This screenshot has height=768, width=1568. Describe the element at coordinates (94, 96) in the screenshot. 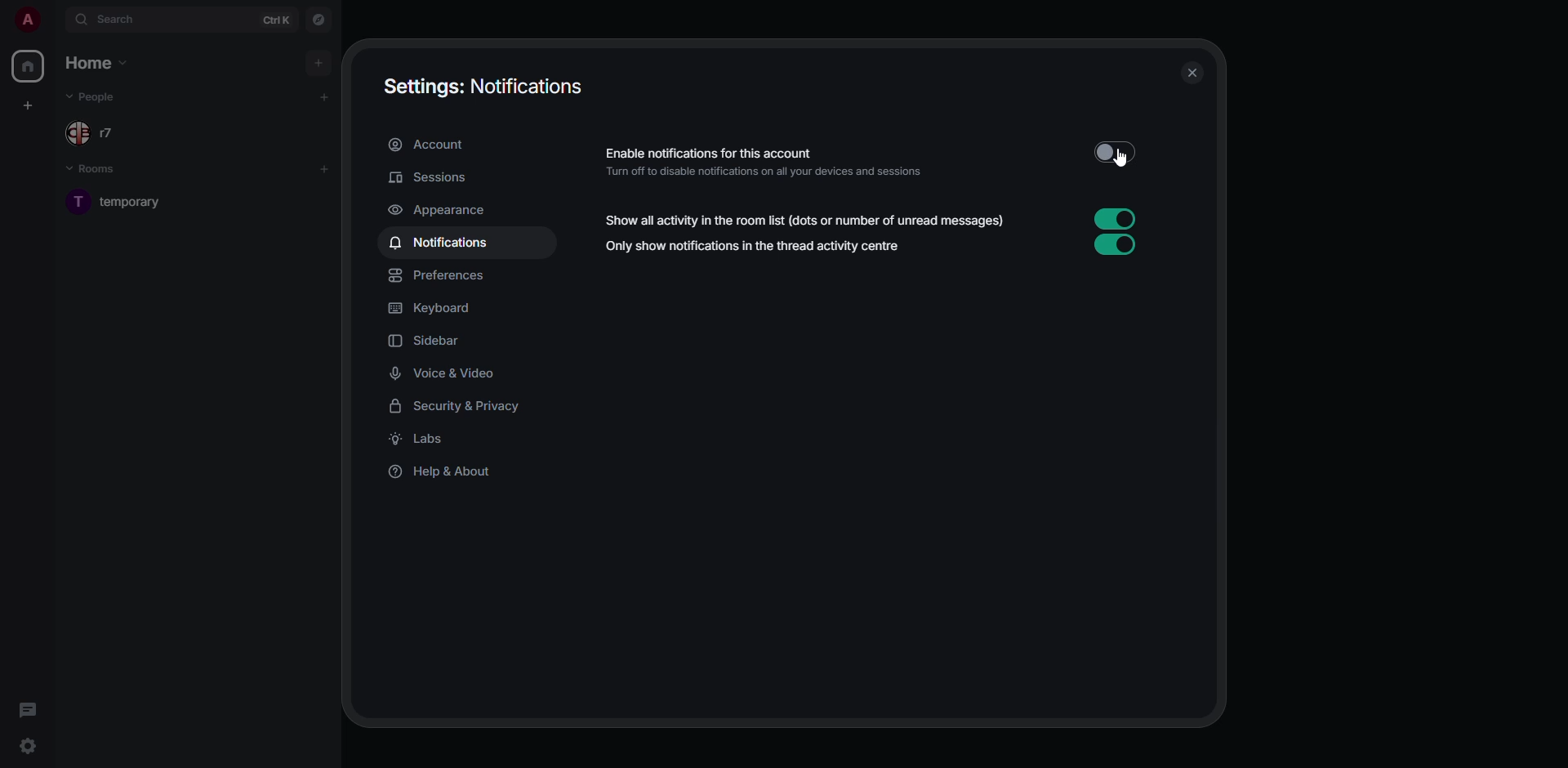

I see `people` at that location.